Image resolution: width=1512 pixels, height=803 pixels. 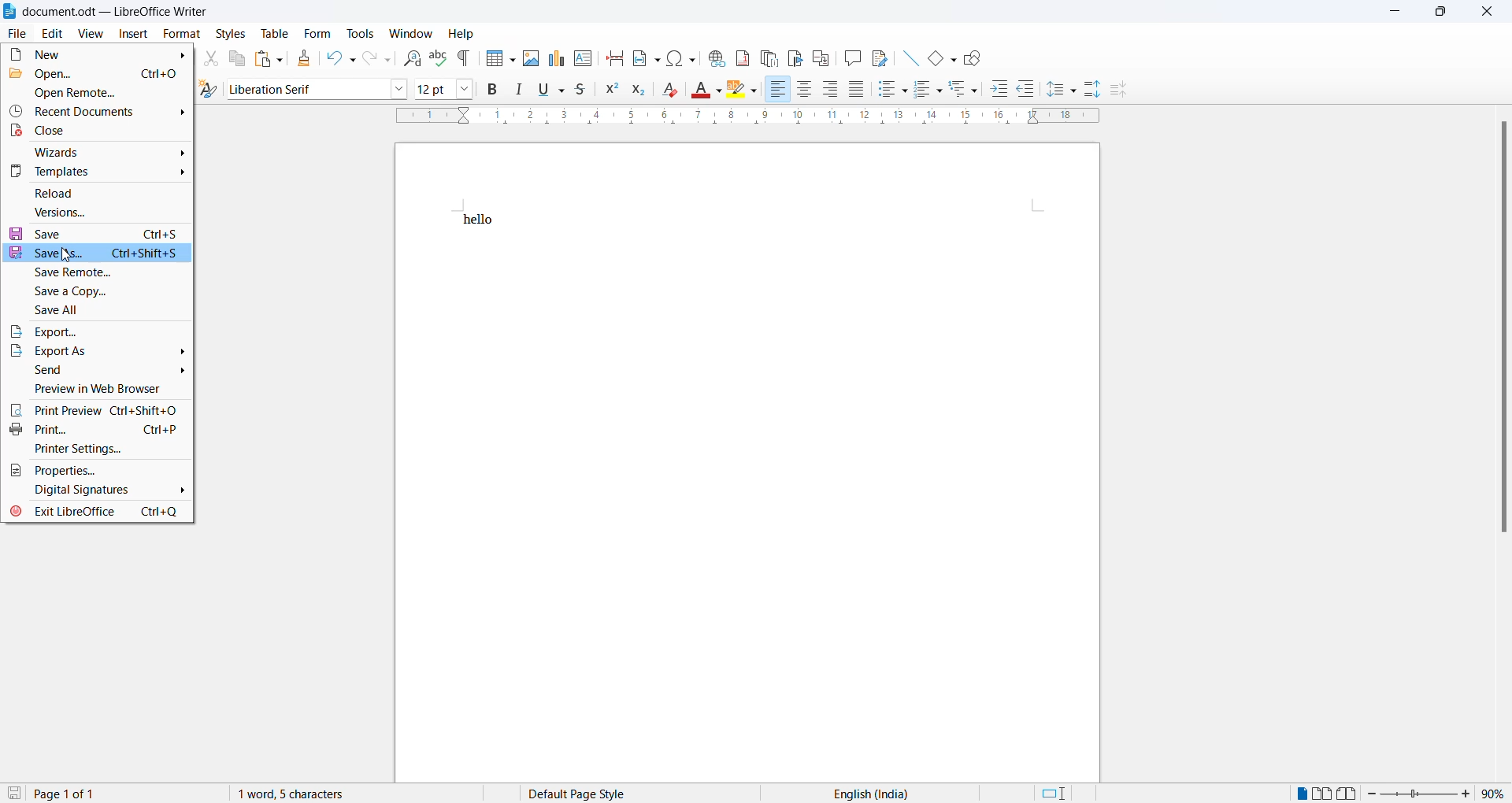 What do you see at coordinates (646, 59) in the screenshot?
I see `Insert field` at bounding box center [646, 59].